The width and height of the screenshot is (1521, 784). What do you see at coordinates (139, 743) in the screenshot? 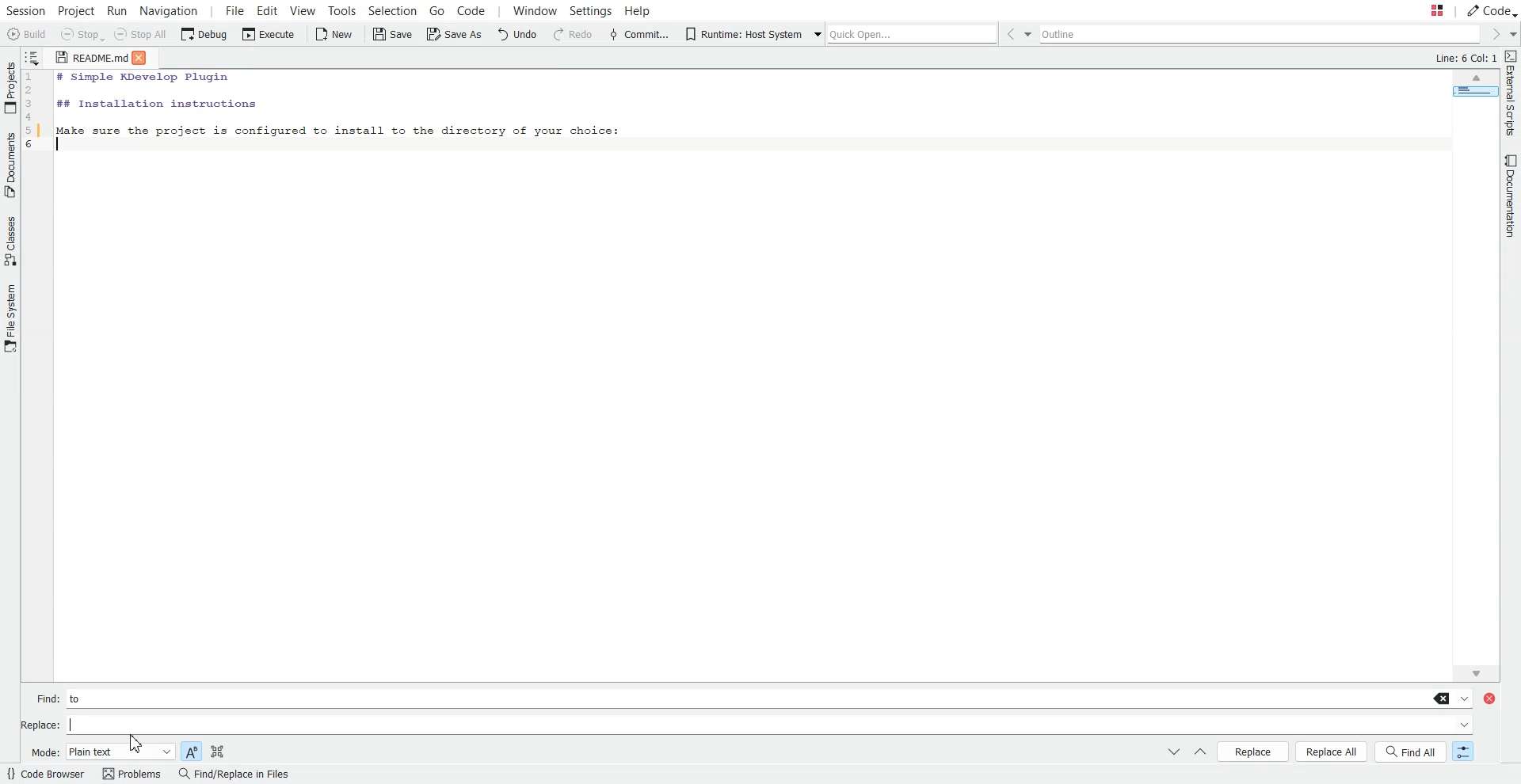
I see `Cursor` at bounding box center [139, 743].